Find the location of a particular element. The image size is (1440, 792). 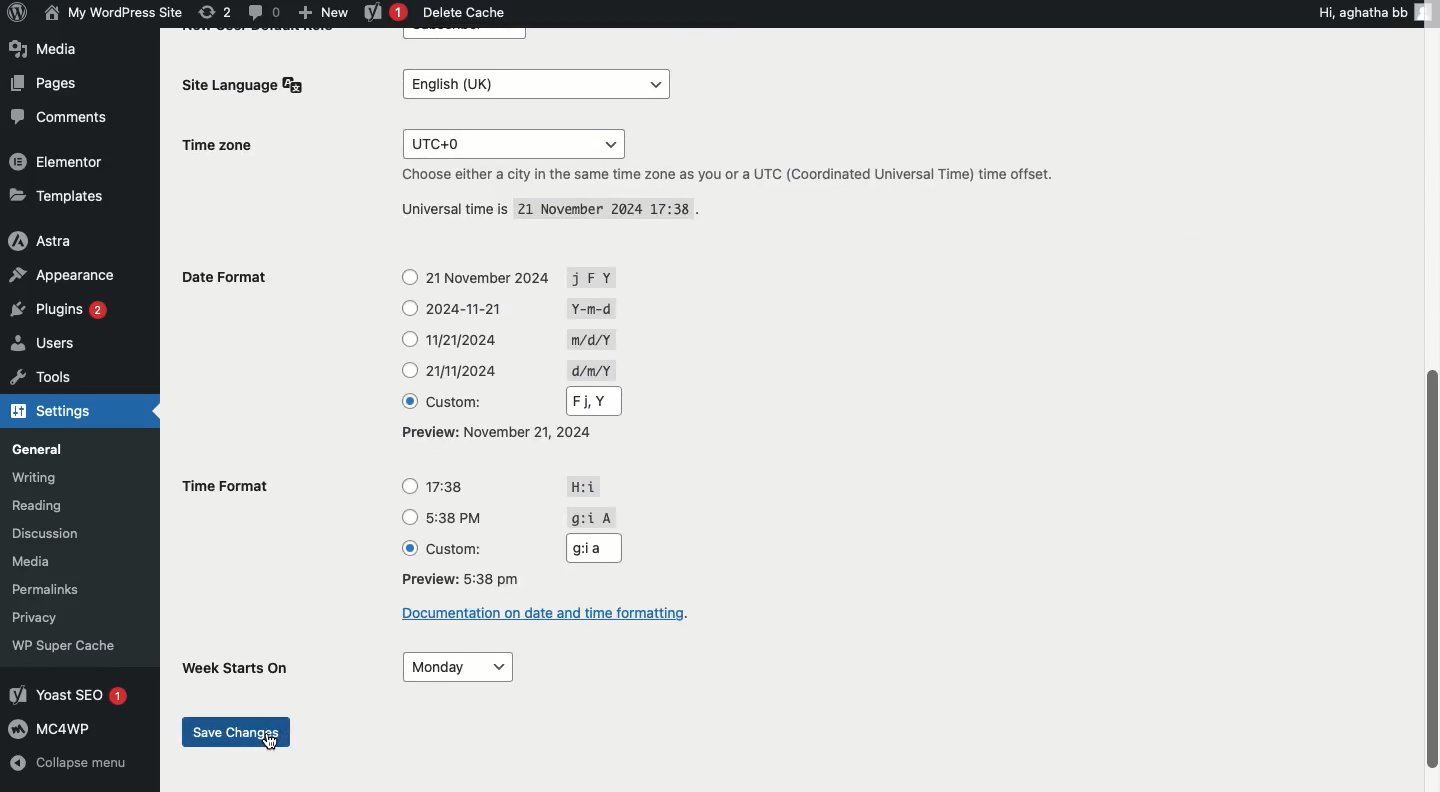

Writing is located at coordinates (60, 479).